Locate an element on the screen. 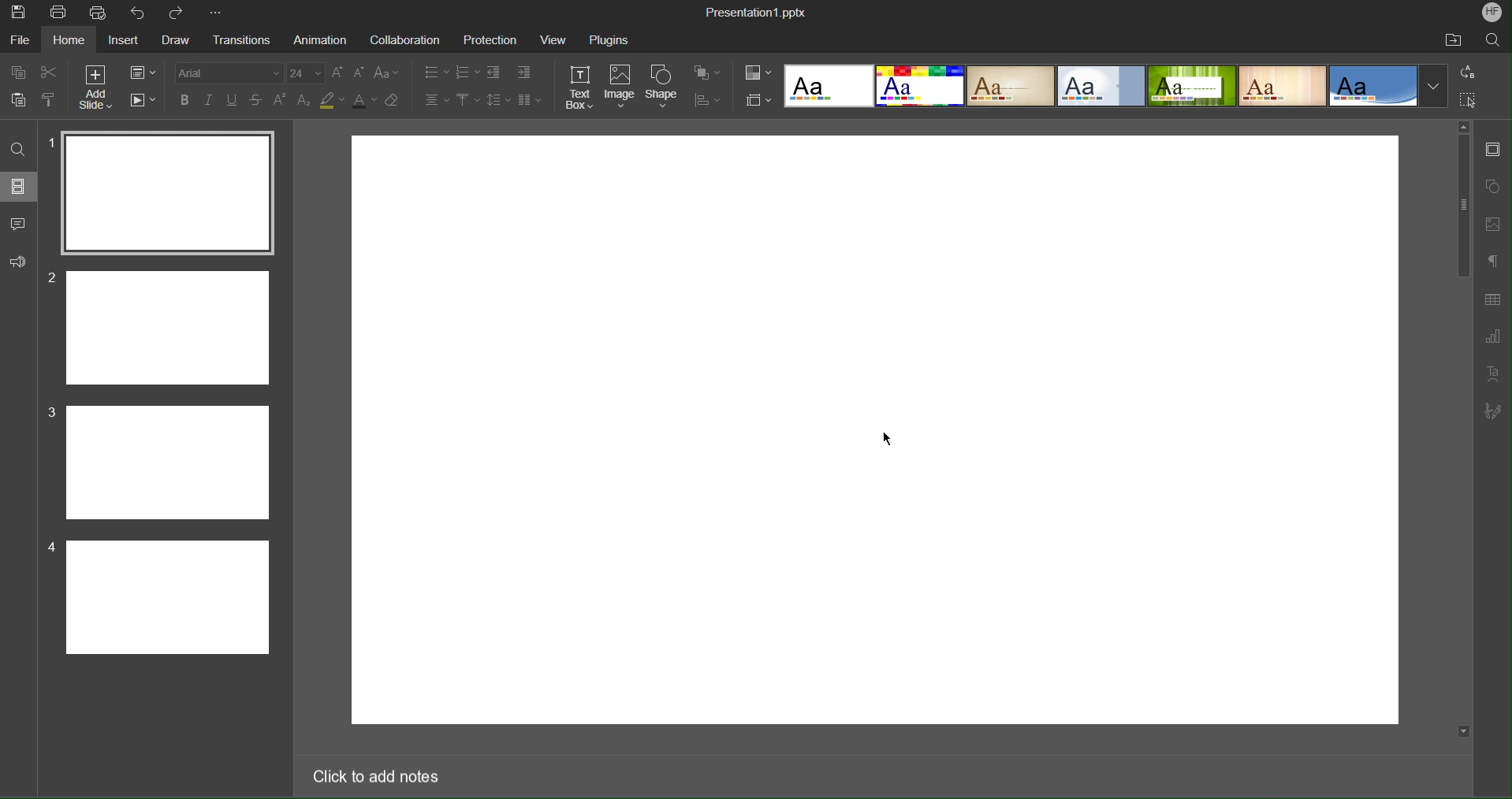 This screenshot has height=799, width=1512. Animation is located at coordinates (319, 40).